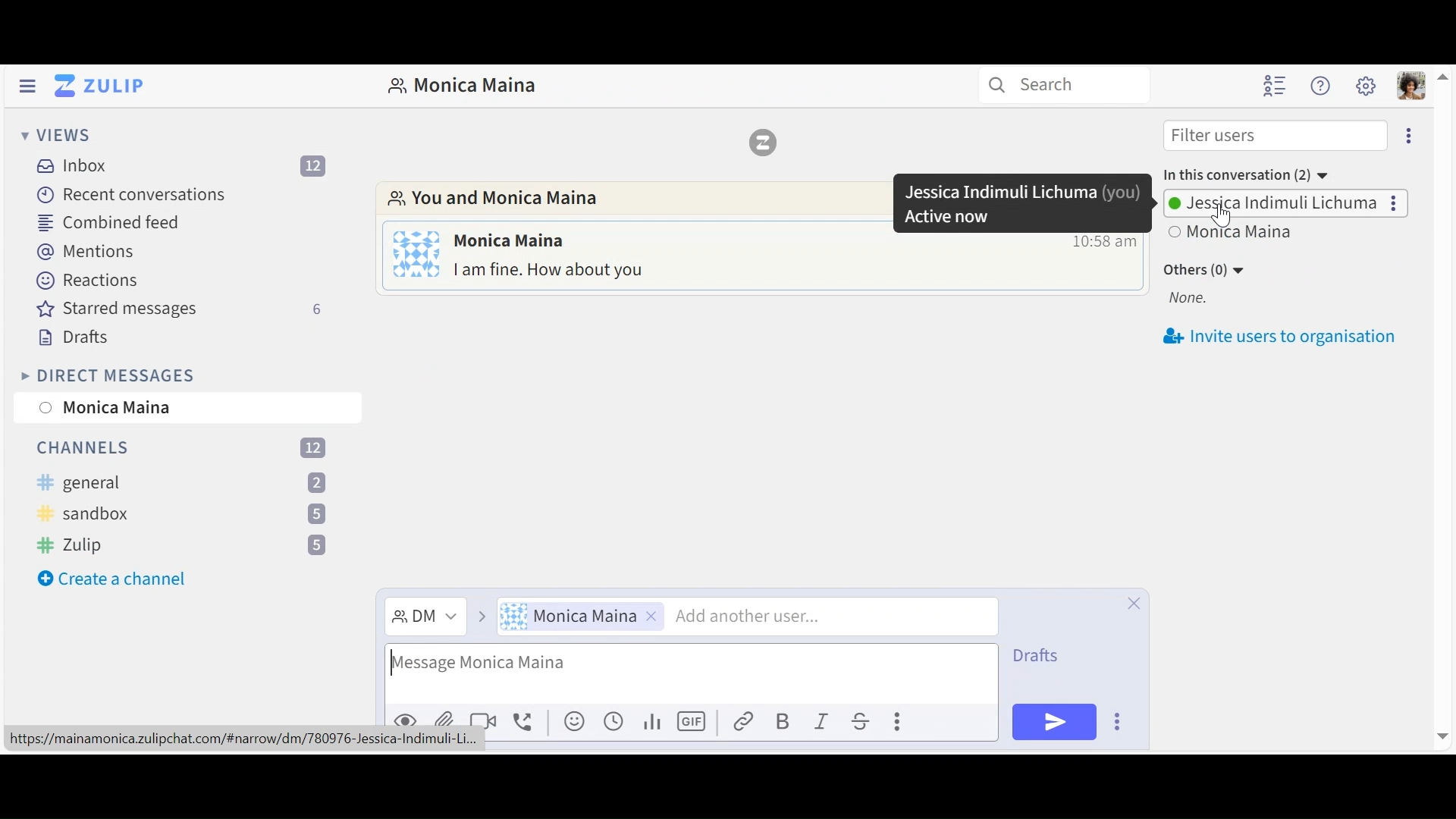 The width and height of the screenshot is (1456, 819). I want to click on move down, so click(1442, 736).